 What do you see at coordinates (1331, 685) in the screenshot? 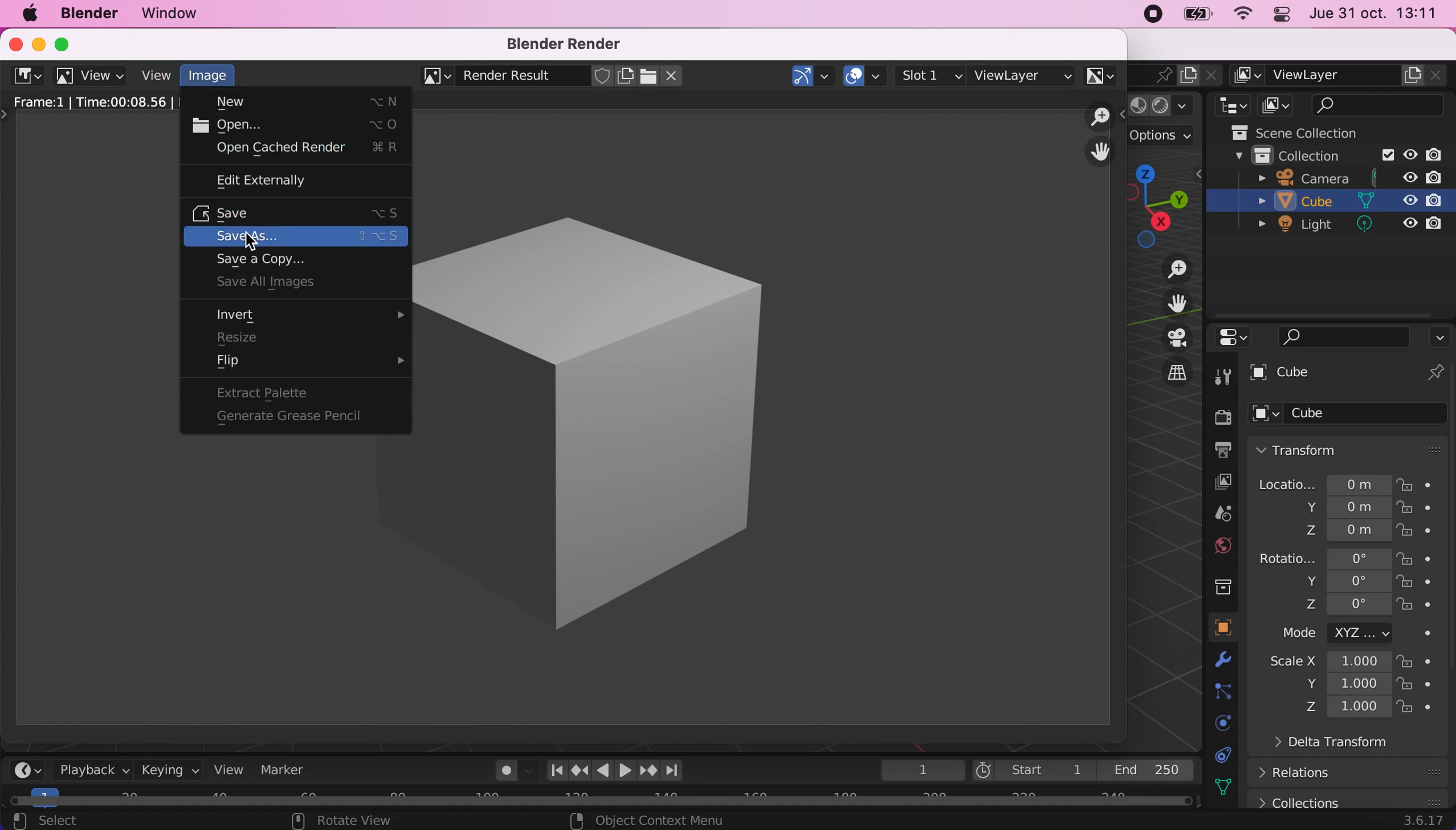
I see `scale measures` at bounding box center [1331, 685].